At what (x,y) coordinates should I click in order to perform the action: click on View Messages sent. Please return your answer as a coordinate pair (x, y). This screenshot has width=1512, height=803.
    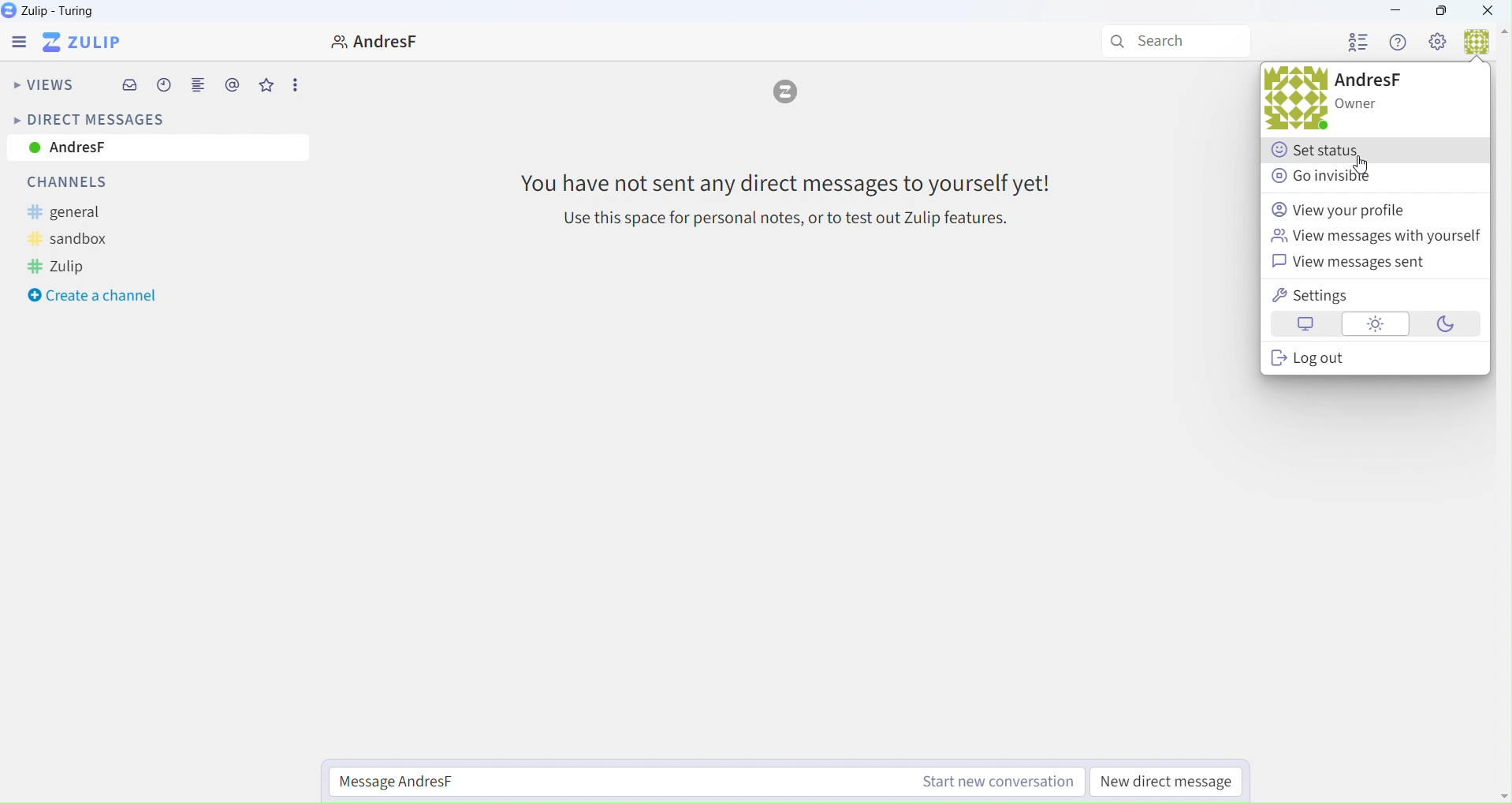
    Looking at the image, I should click on (1361, 263).